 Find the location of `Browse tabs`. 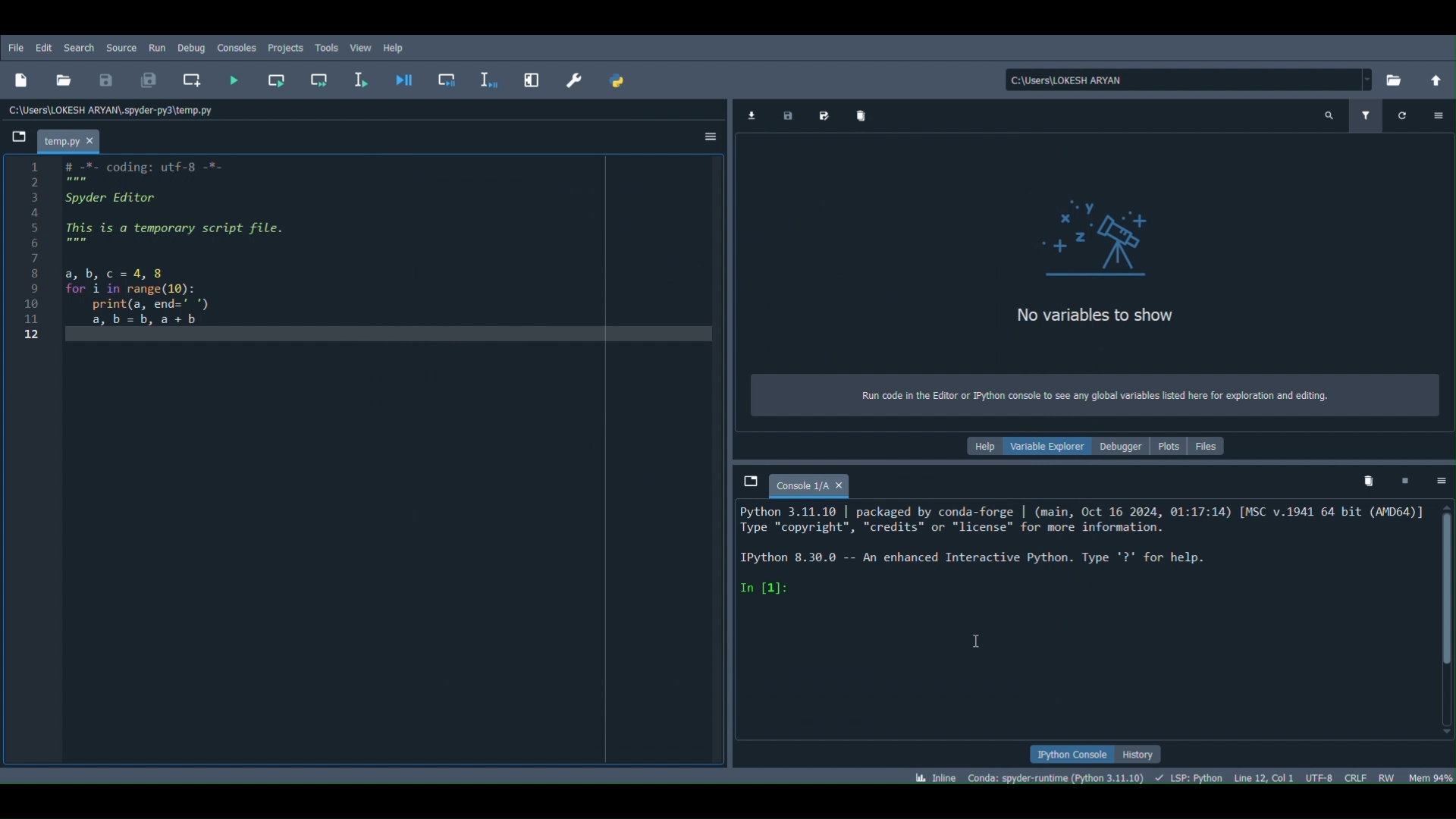

Browse tabs is located at coordinates (18, 137).